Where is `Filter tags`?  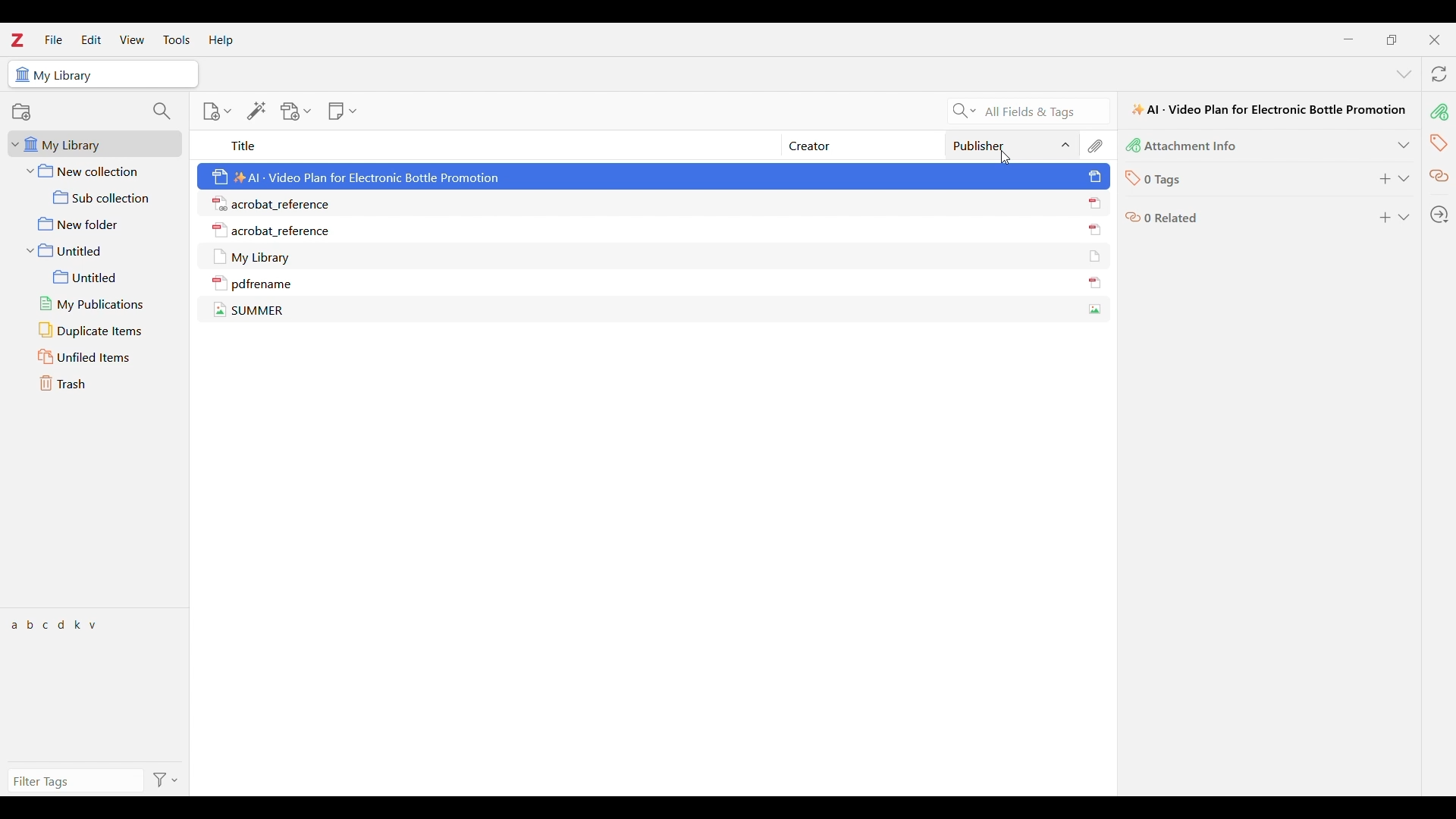 Filter tags is located at coordinates (75, 781).